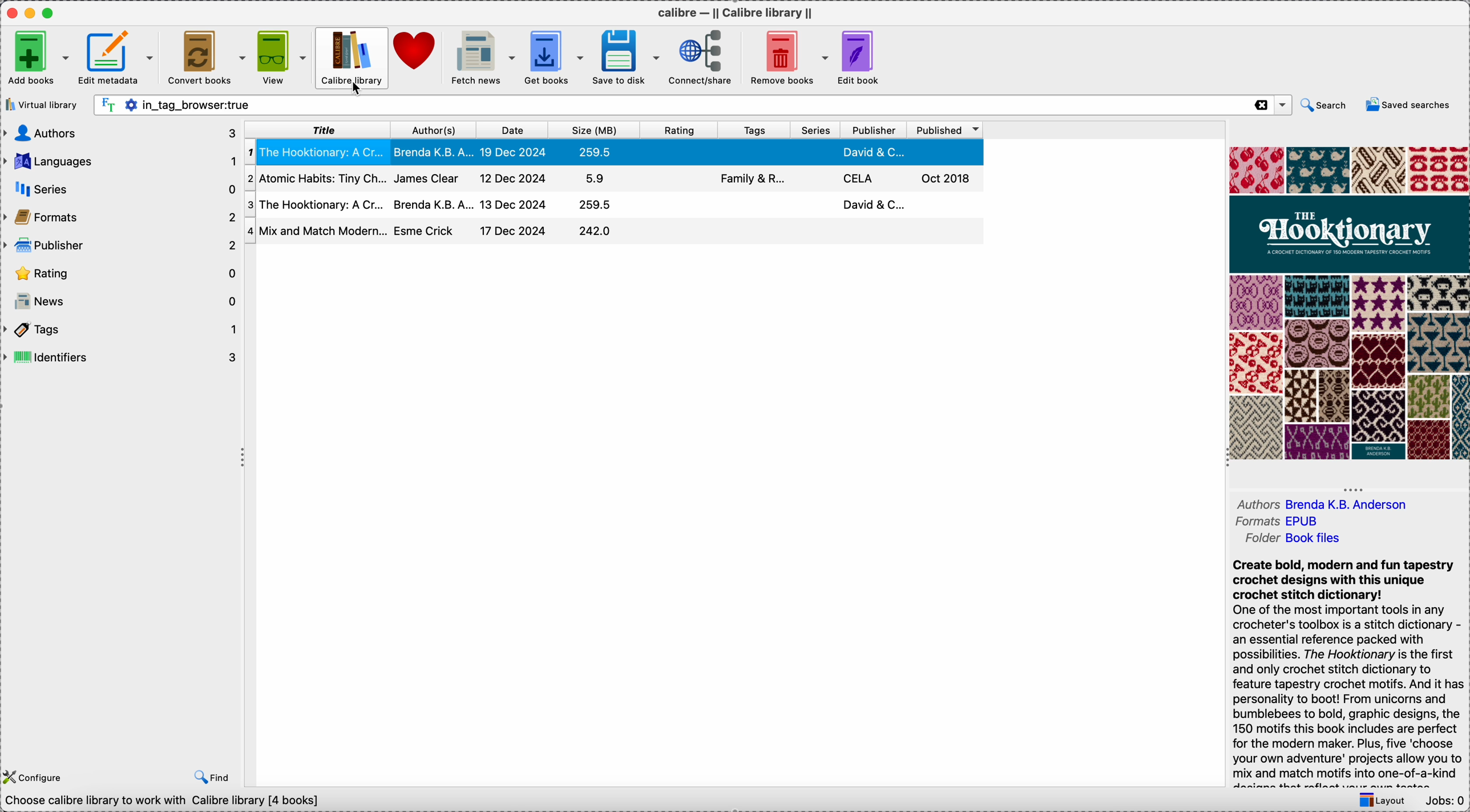 This screenshot has width=1470, height=812. I want to click on first book, so click(615, 154).